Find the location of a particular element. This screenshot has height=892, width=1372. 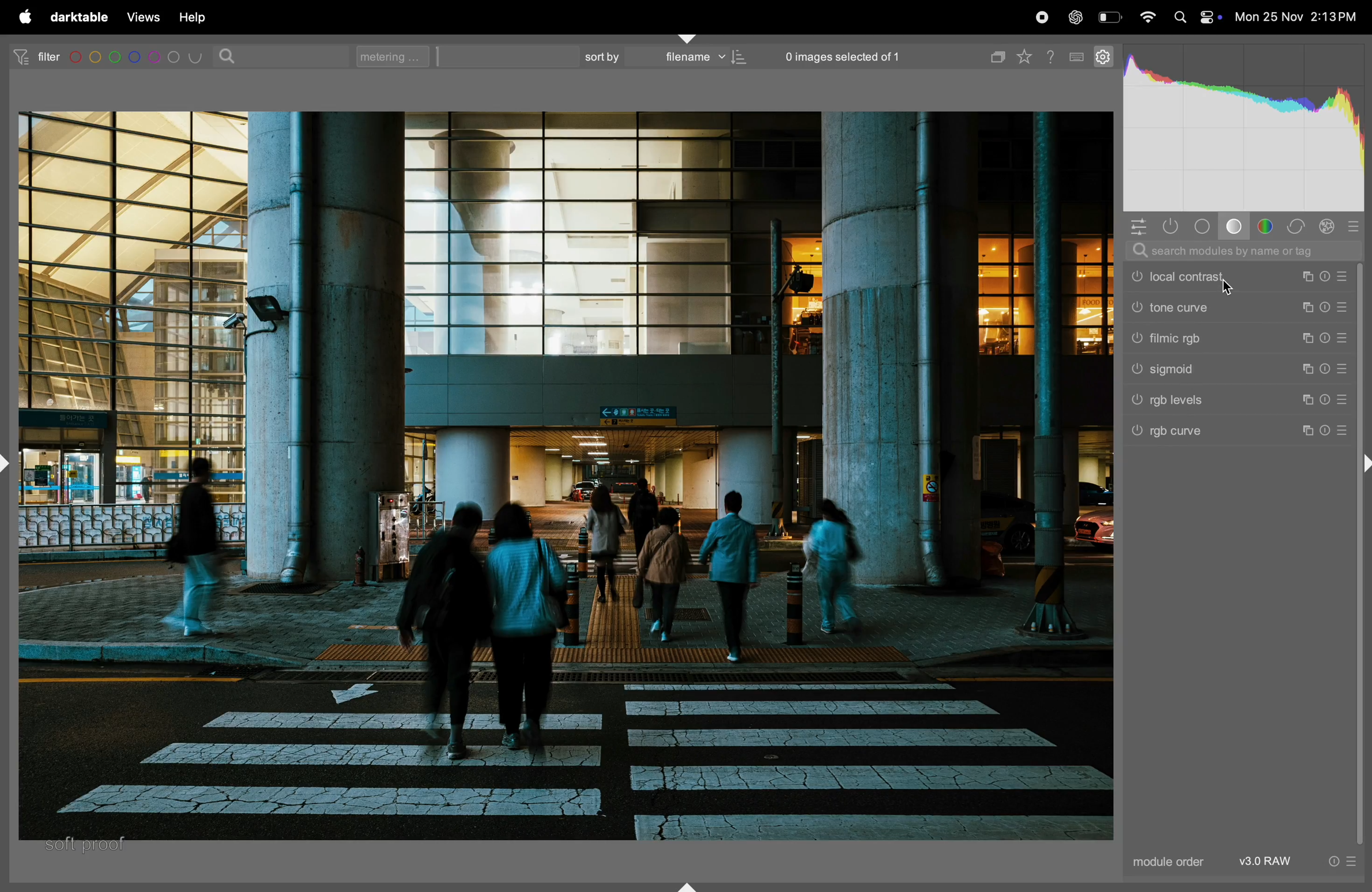

0 images selected of 1 is located at coordinates (843, 53).